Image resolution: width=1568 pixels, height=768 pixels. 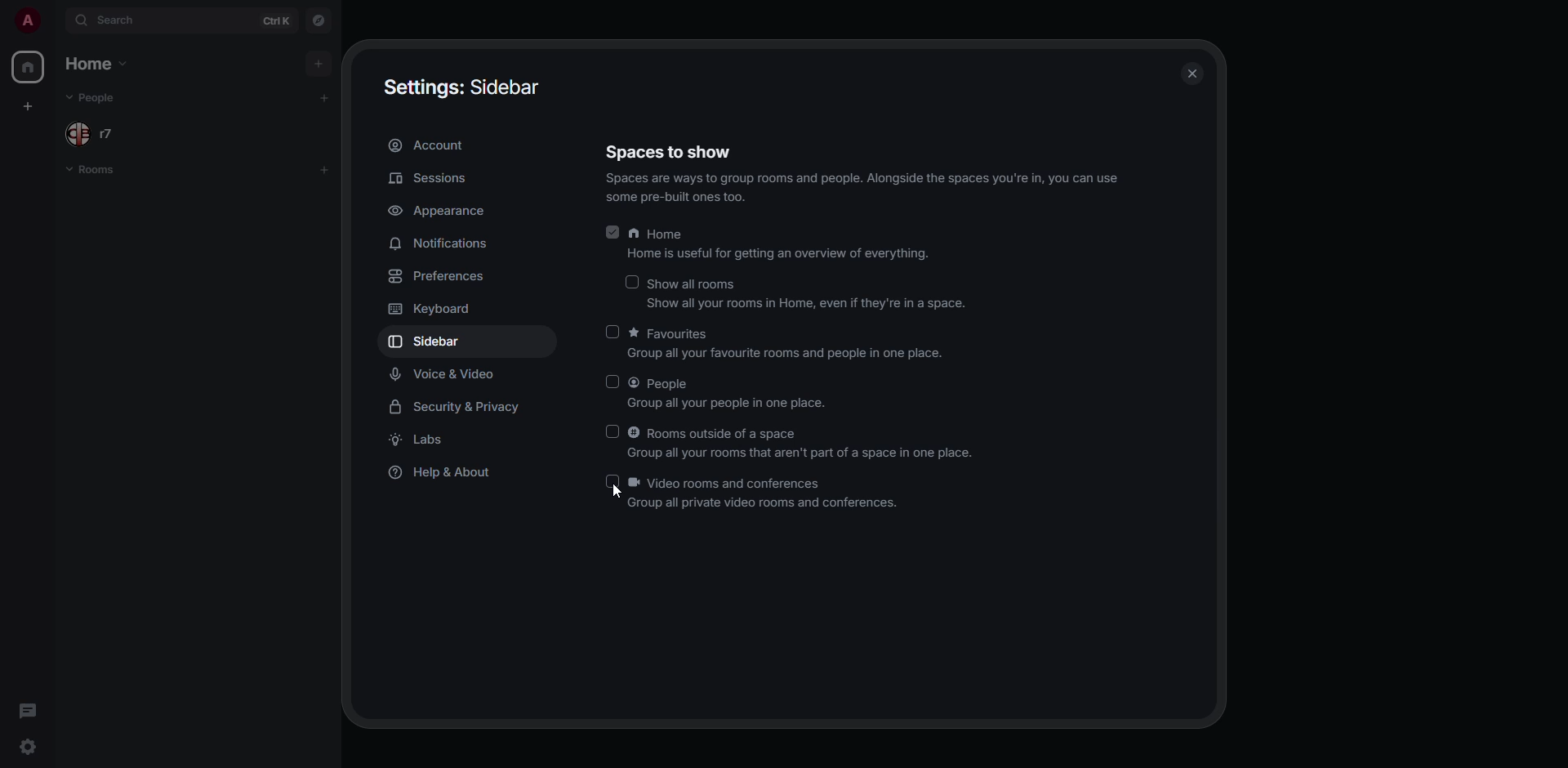 What do you see at coordinates (611, 235) in the screenshot?
I see `enabled` at bounding box center [611, 235].